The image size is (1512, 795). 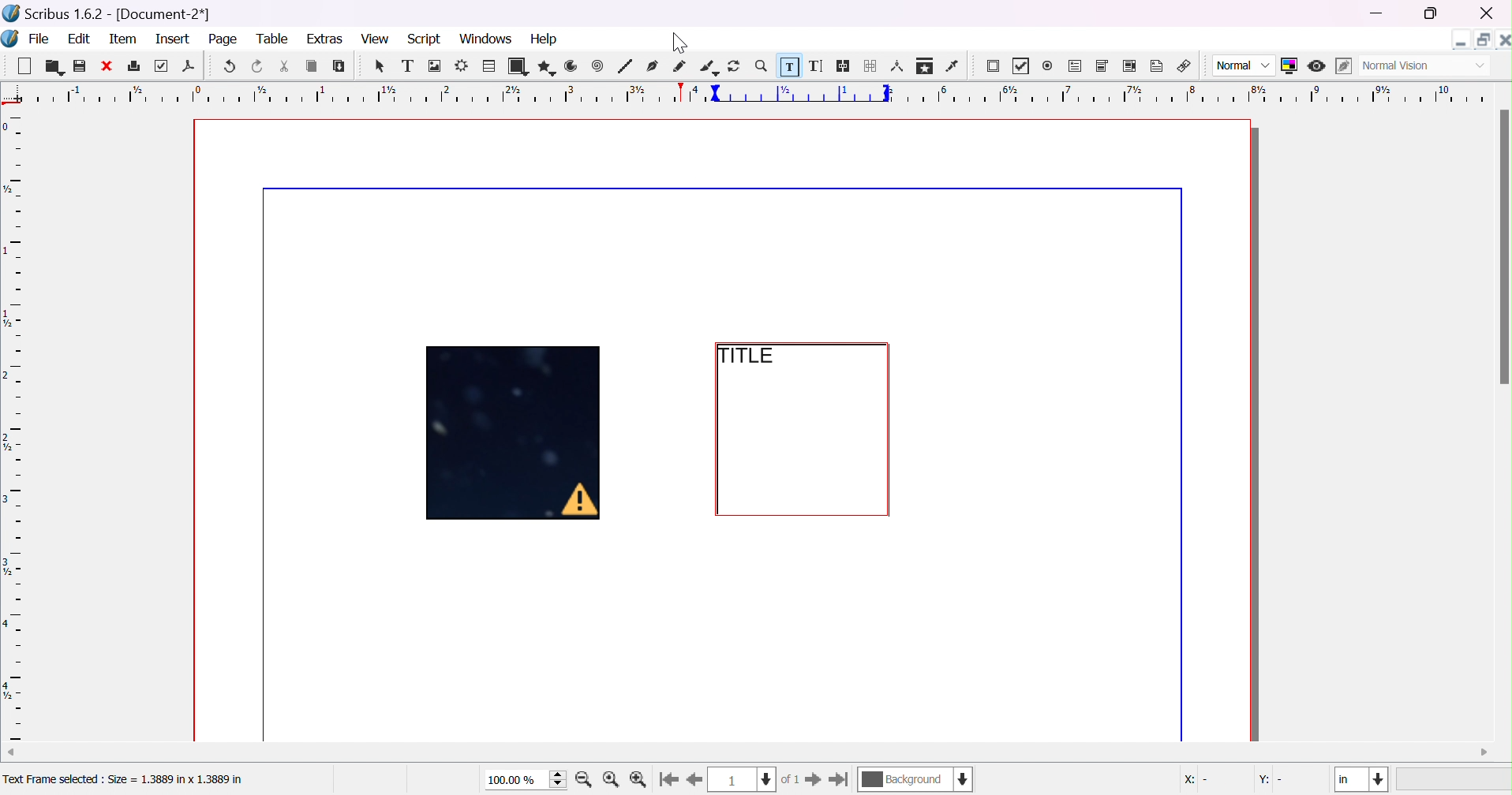 What do you see at coordinates (80, 66) in the screenshot?
I see `save` at bounding box center [80, 66].